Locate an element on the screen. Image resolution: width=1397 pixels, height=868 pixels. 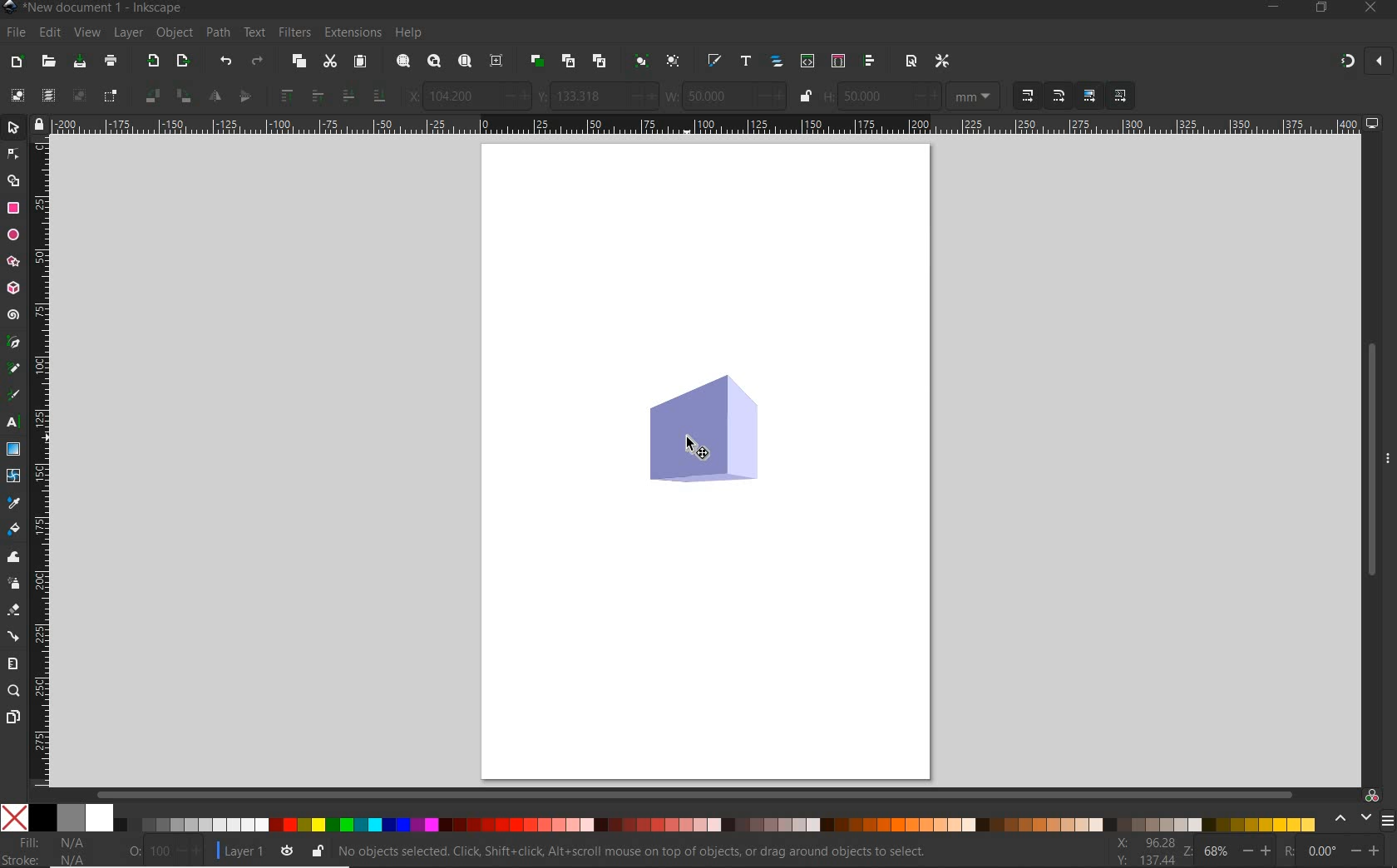
increase/decrease is located at coordinates (515, 96).